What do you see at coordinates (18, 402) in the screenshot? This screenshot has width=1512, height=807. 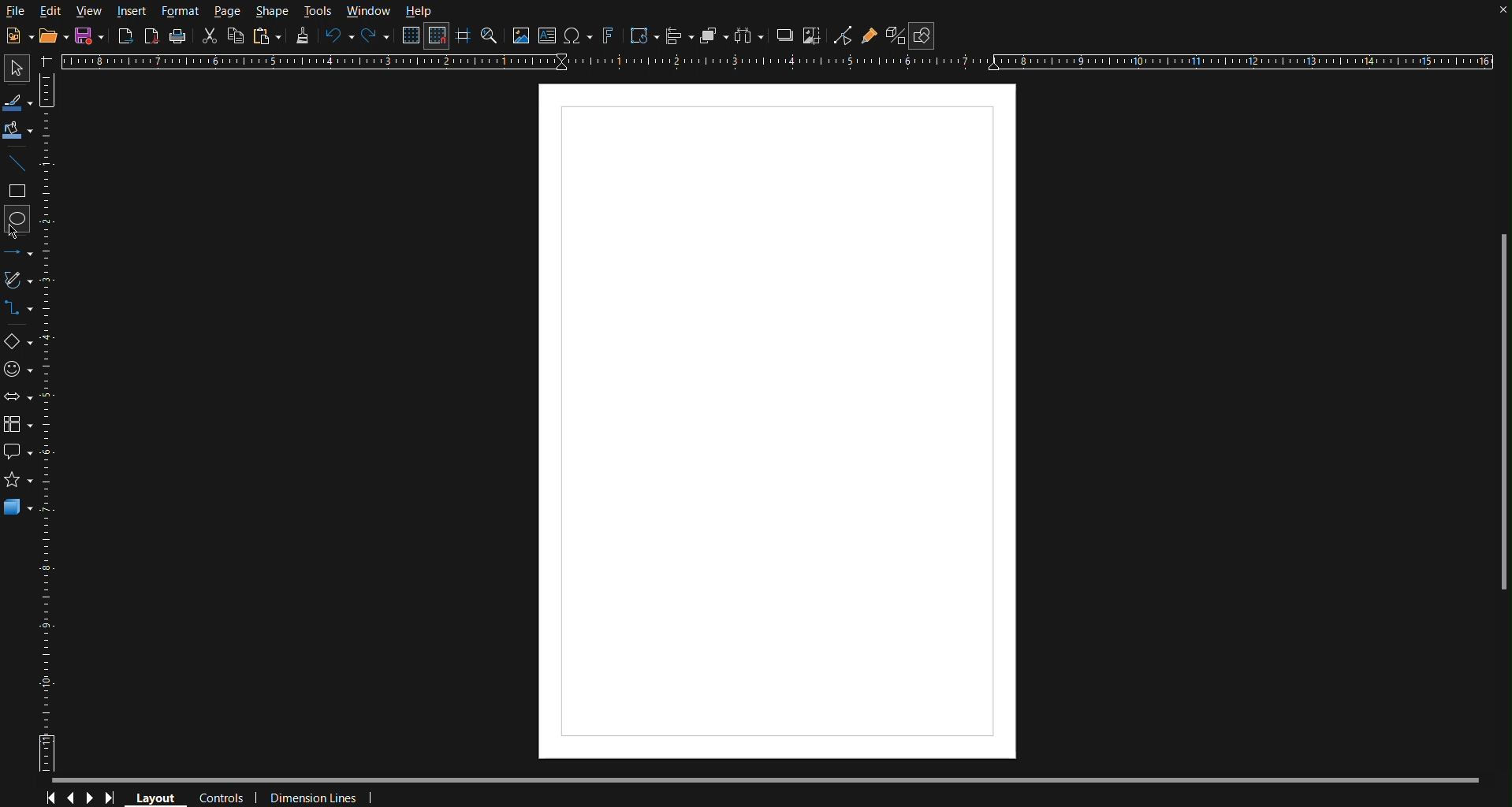 I see `Box Arrows` at bounding box center [18, 402].